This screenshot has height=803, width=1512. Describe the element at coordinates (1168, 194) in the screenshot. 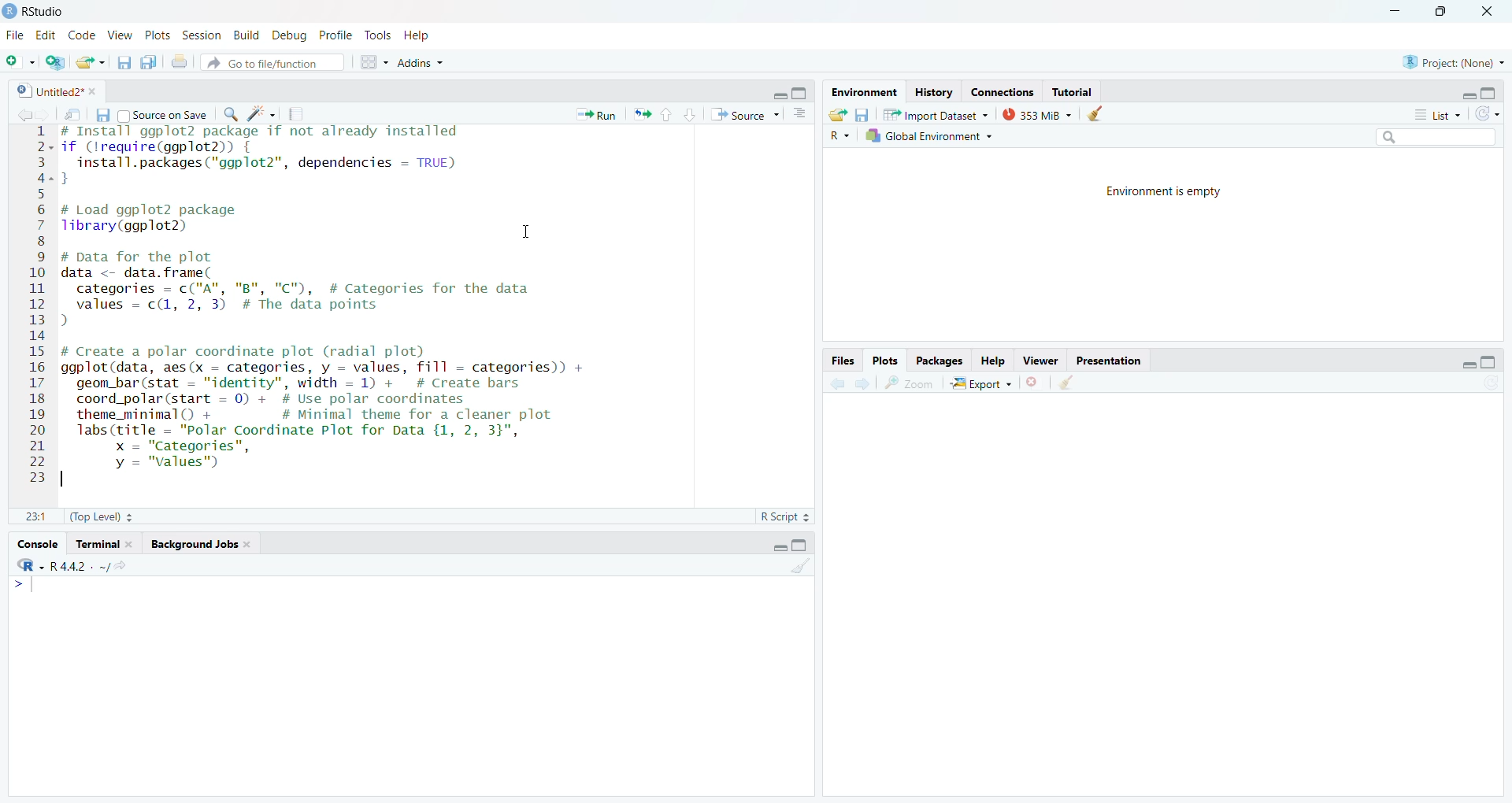

I see `Environment is empty` at that location.